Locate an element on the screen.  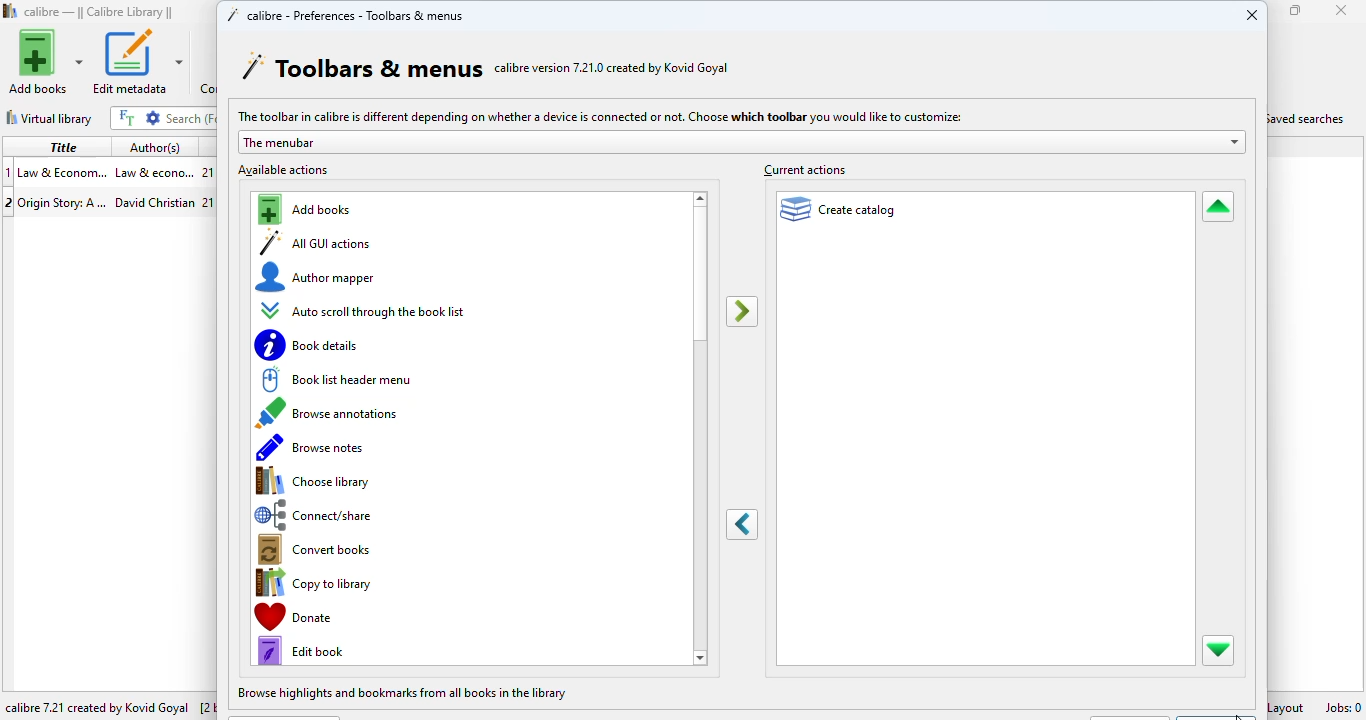
saved searches is located at coordinates (1309, 117).